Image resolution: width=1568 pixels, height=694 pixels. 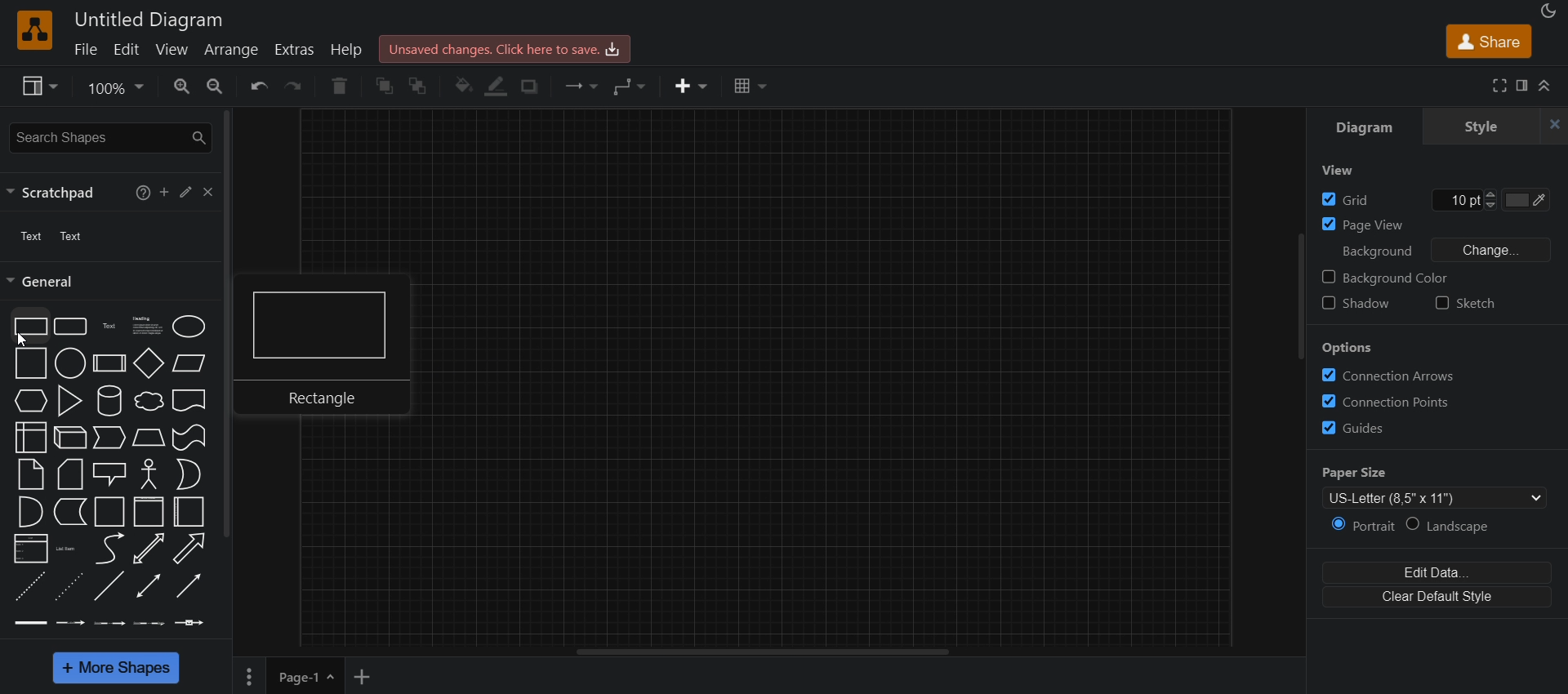 What do you see at coordinates (1524, 85) in the screenshot?
I see `format` at bounding box center [1524, 85].